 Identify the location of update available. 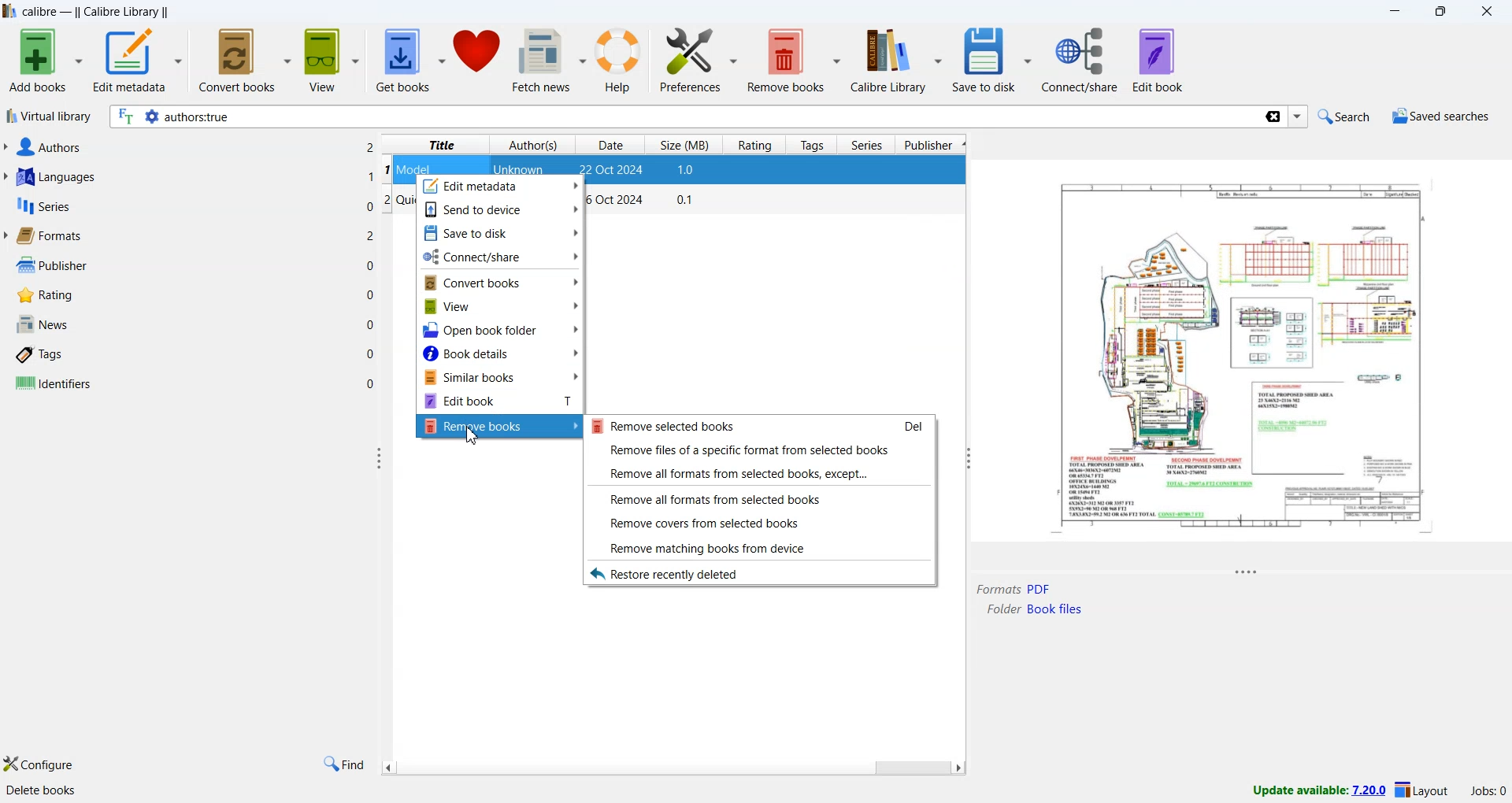
(1311, 790).